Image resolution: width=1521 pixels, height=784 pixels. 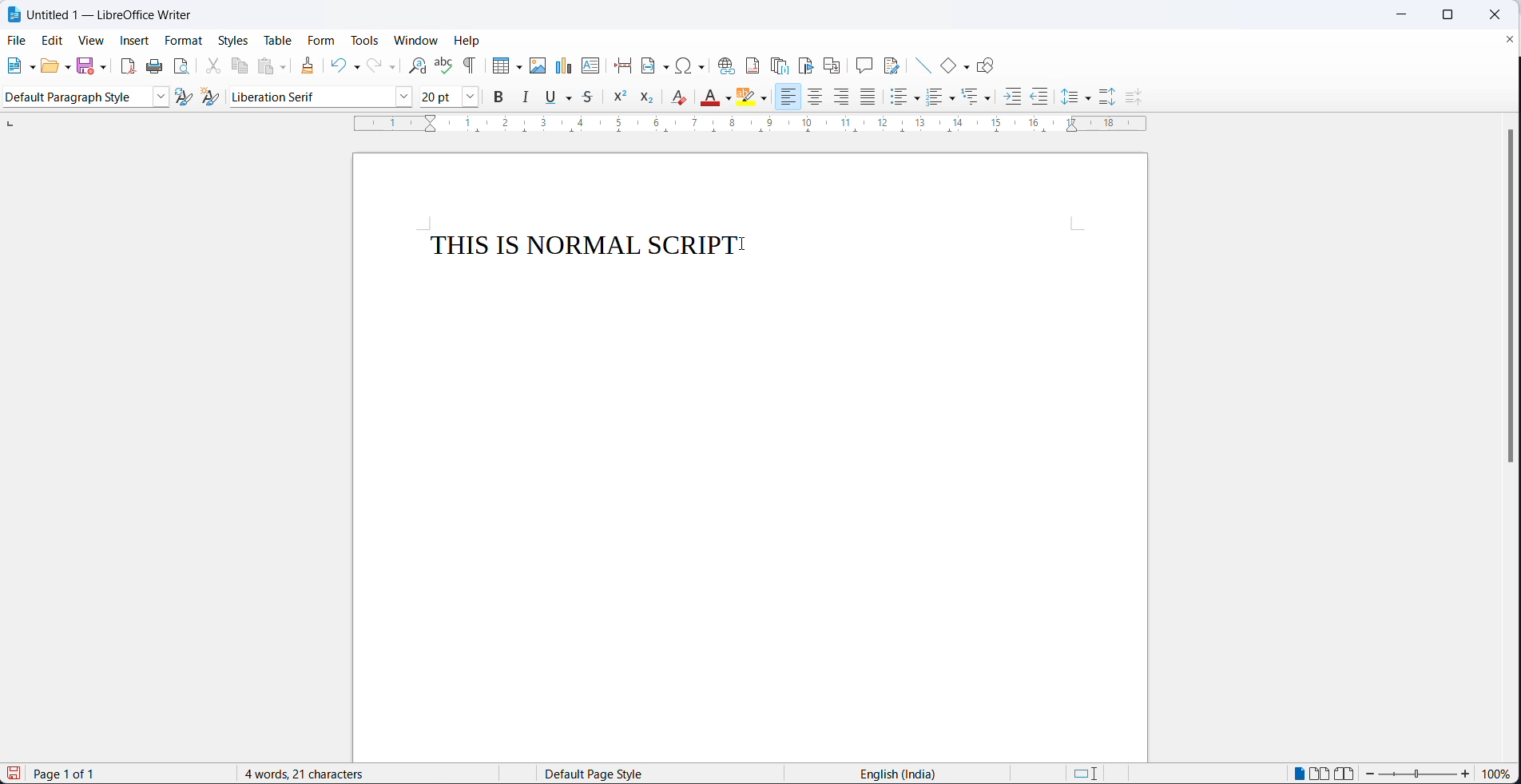 I want to click on line spacing options, so click(x=1088, y=99).